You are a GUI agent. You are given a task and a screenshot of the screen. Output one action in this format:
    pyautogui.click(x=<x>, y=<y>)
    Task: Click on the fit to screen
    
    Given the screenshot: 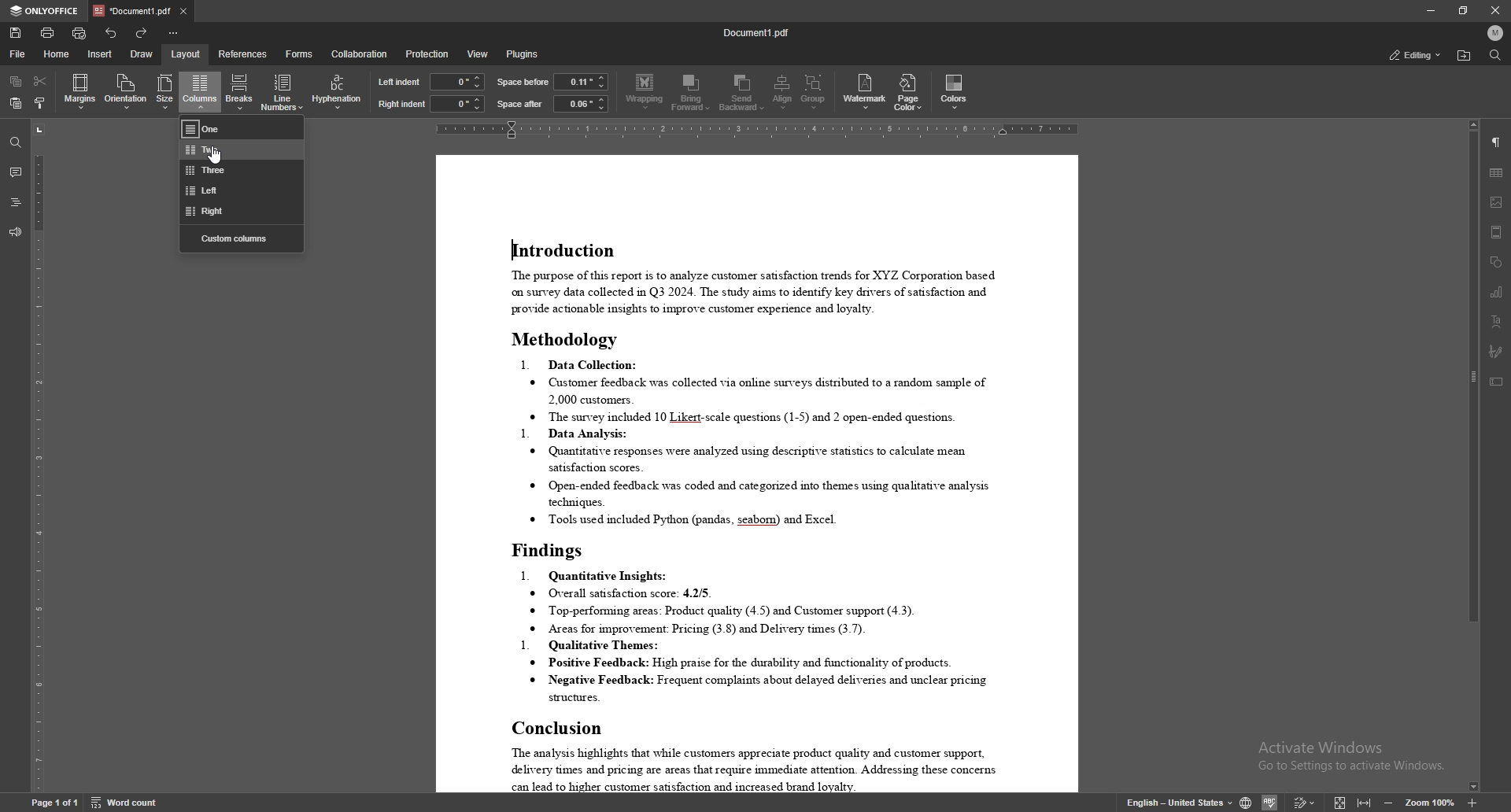 What is the action you would take?
    pyautogui.click(x=1339, y=802)
    